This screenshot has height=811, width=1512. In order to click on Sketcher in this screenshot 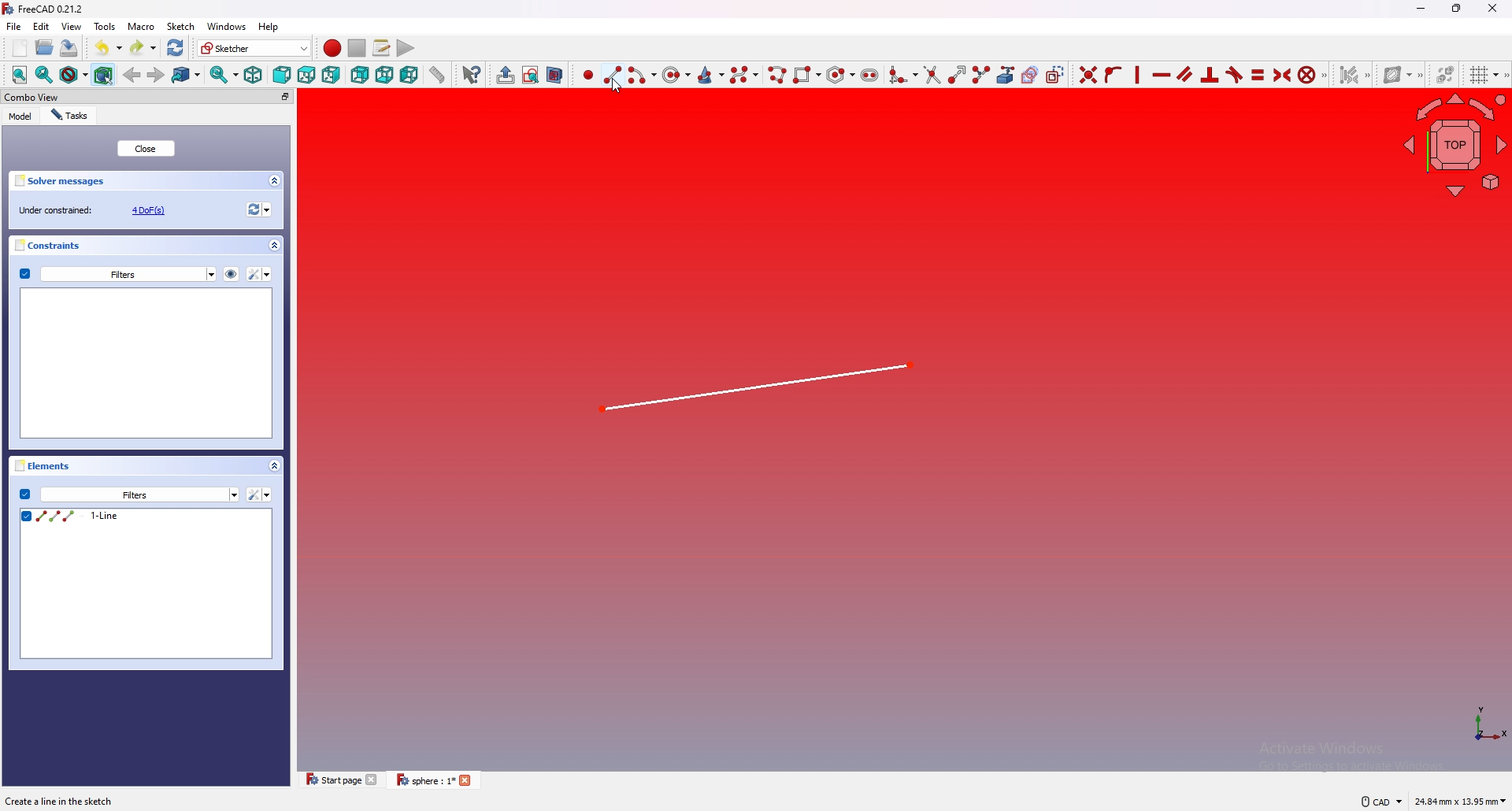, I will do `click(252, 48)`.